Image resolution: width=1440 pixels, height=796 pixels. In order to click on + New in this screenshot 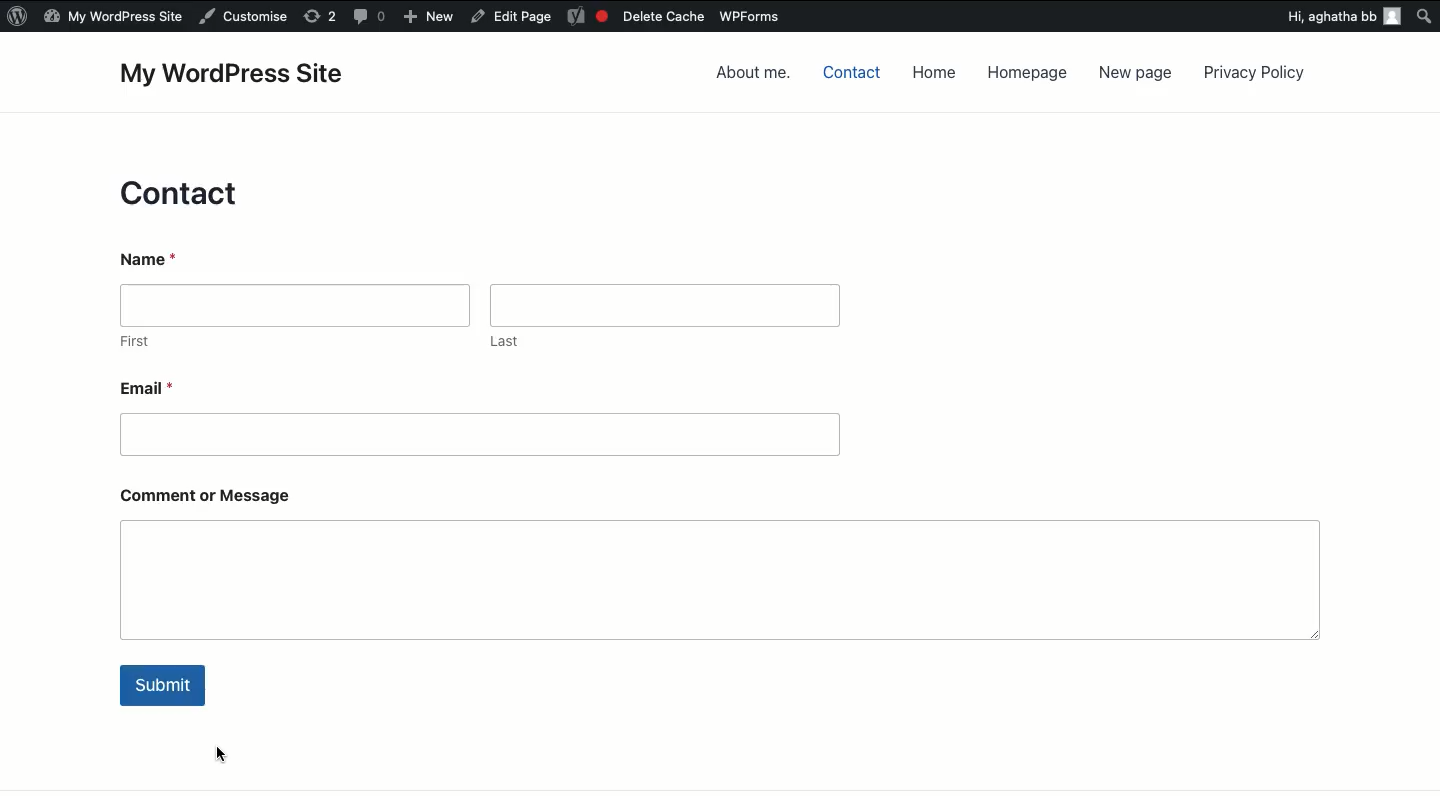, I will do `click(429, 19)`.